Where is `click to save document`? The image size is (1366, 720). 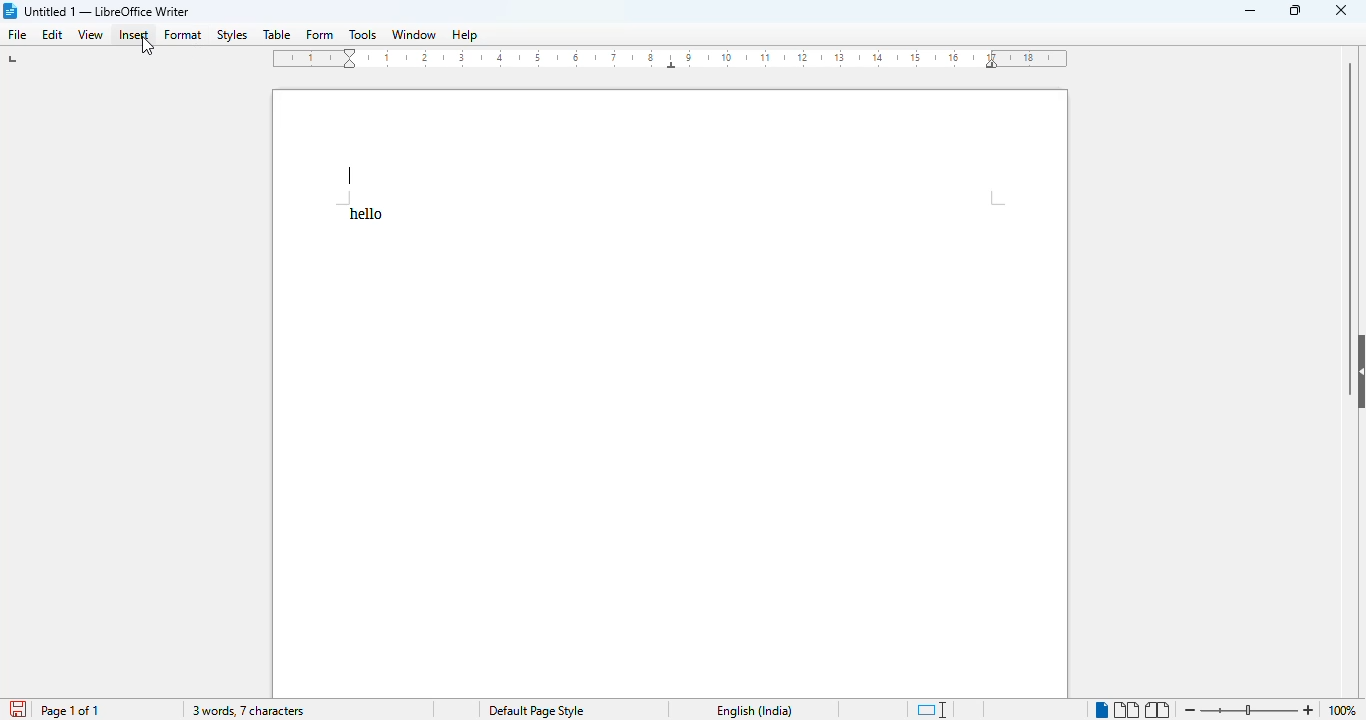
click to save document is located at coordinates (18, 709).